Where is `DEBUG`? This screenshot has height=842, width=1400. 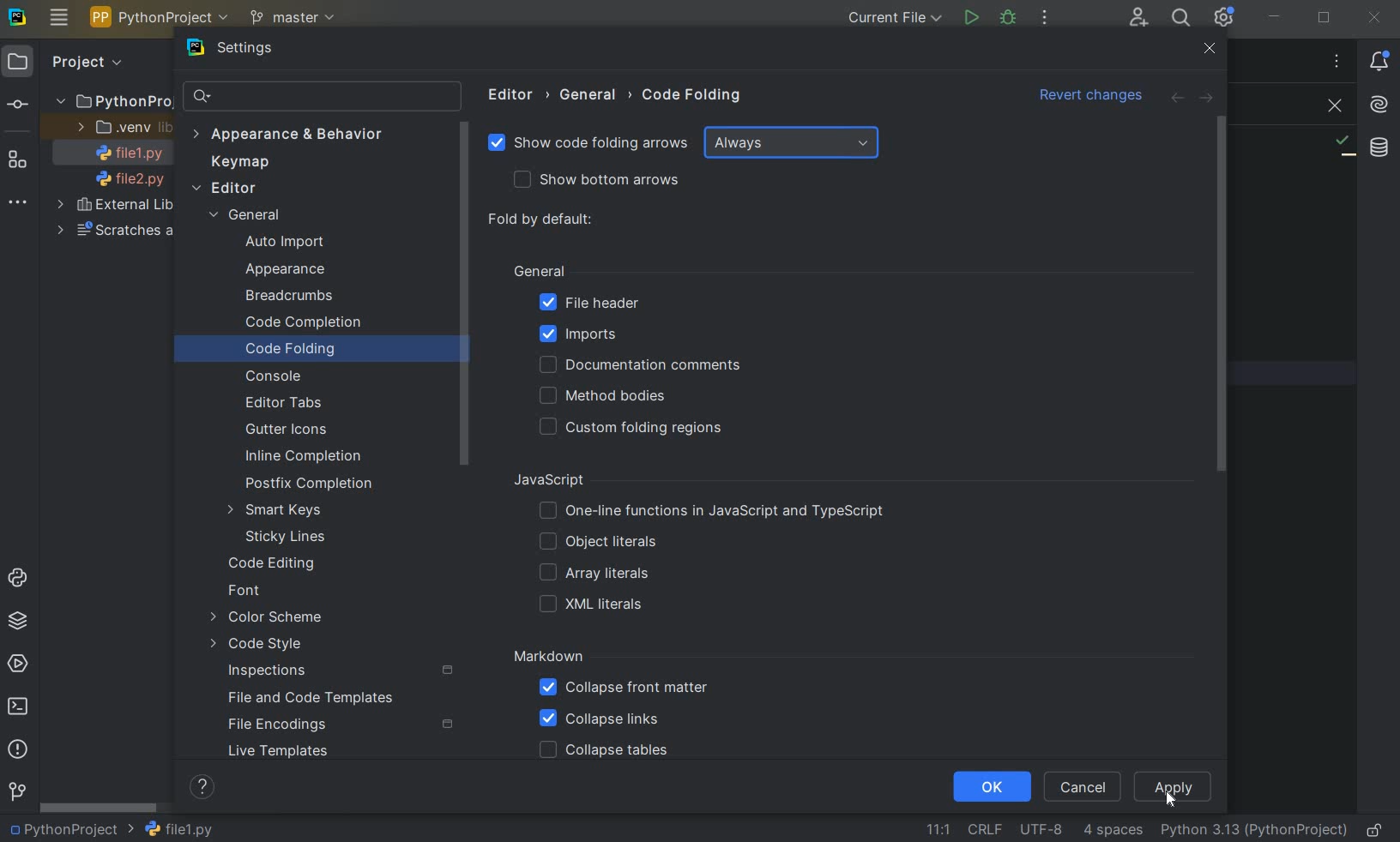
DEBUG is located at coordinates (1010, 19).